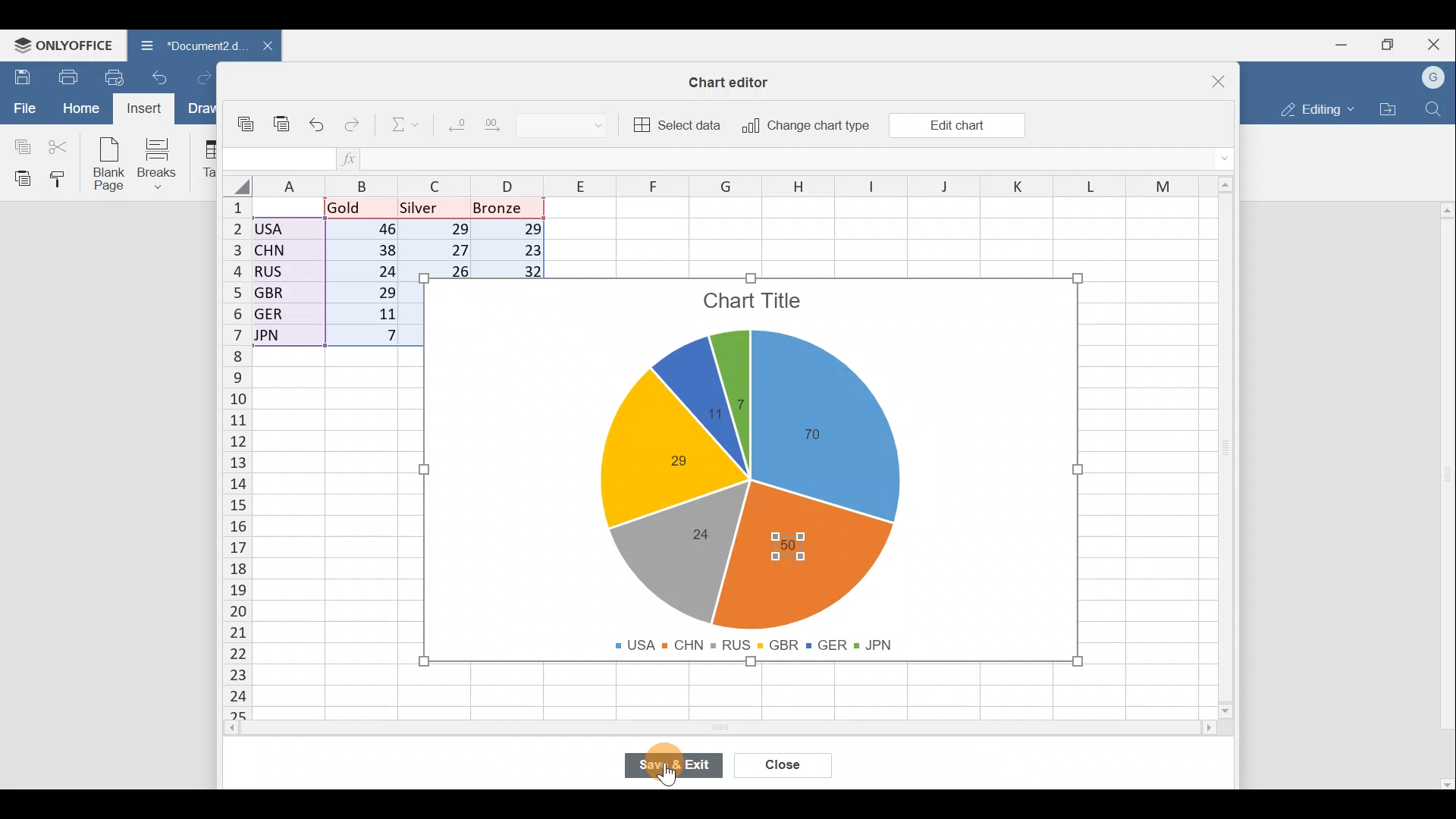 The height and width of the screenshot is (819, 1456). I want to click on Maximize, so click(1394, 43).